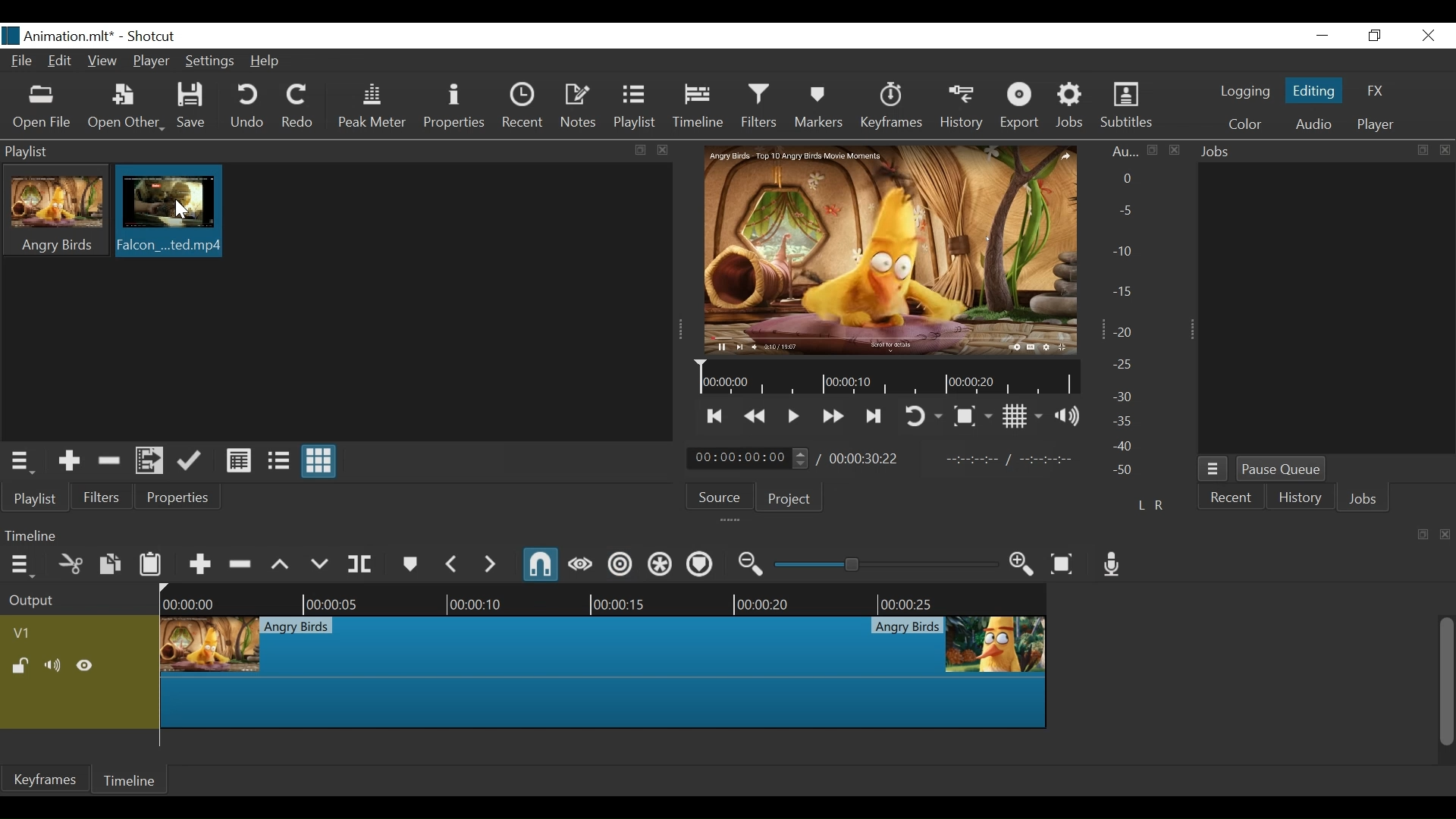  What do you see at coordinates (866, 459) in the screenshot?
I see `Total Duration` at bounding box center [866, 459].